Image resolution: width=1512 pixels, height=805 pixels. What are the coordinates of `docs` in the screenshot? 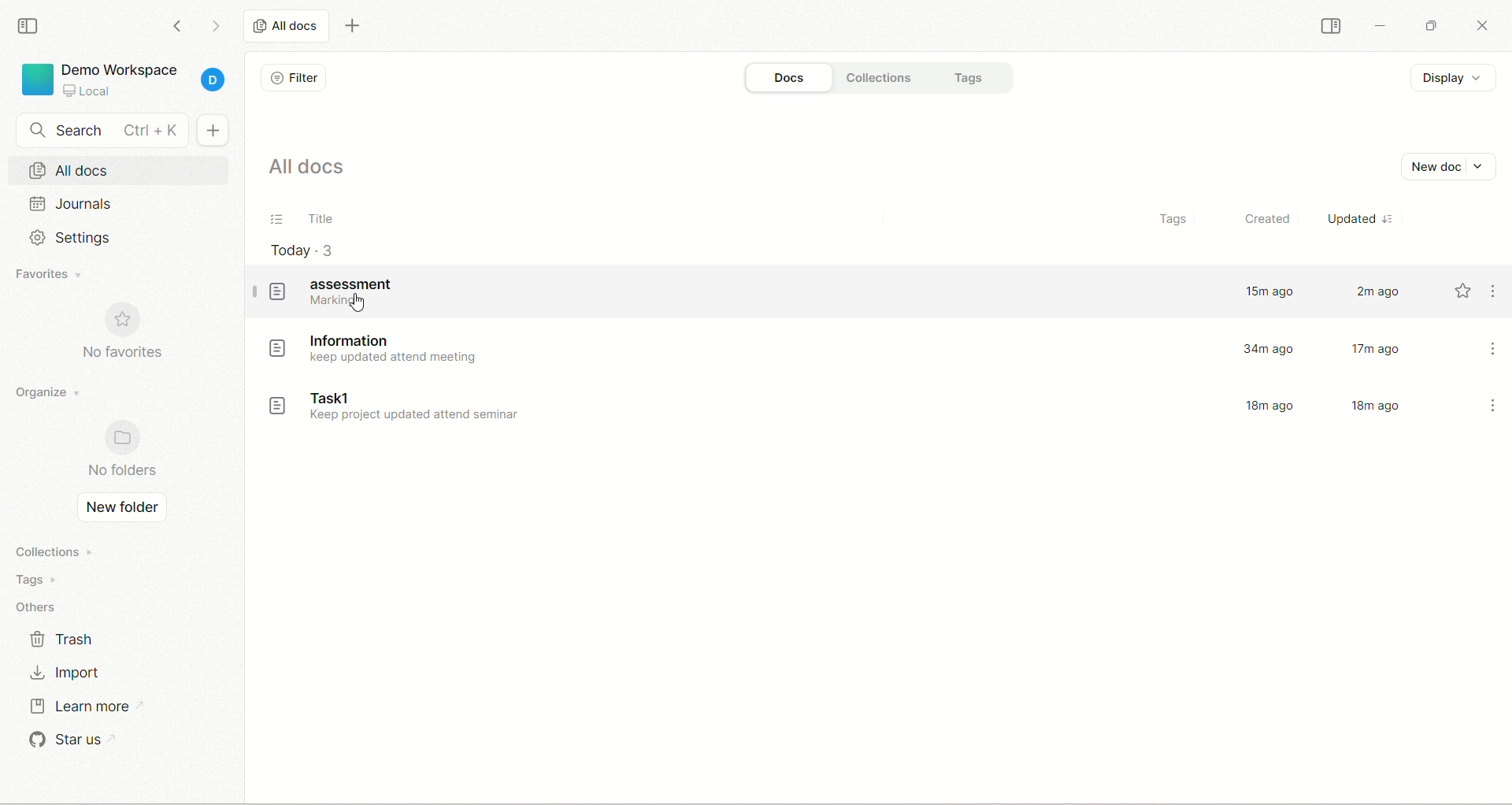 It's located at (785, 77).